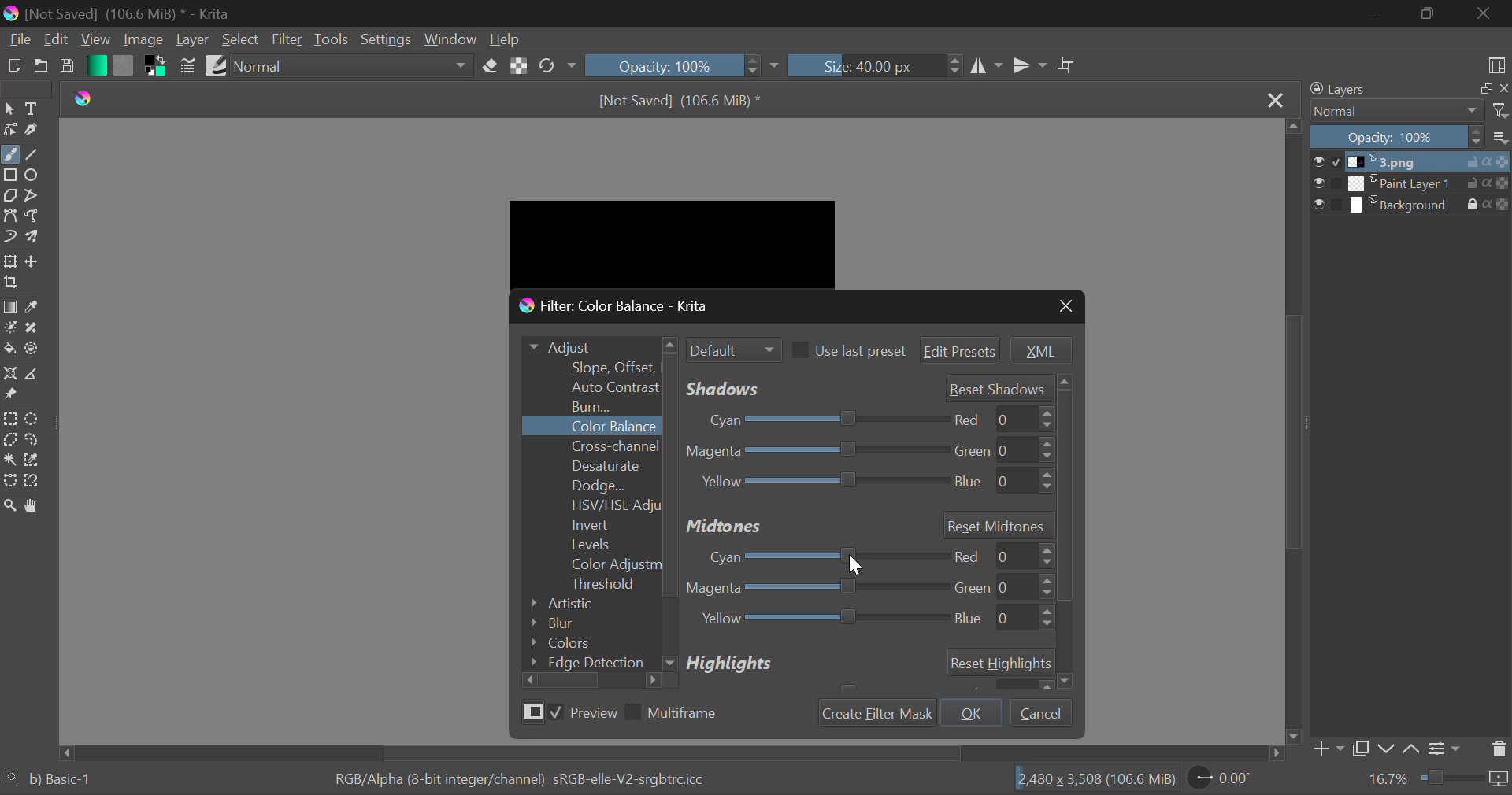 This screenshot has height=795, width=1512. I want to click on Settings, so click(1447, 747).